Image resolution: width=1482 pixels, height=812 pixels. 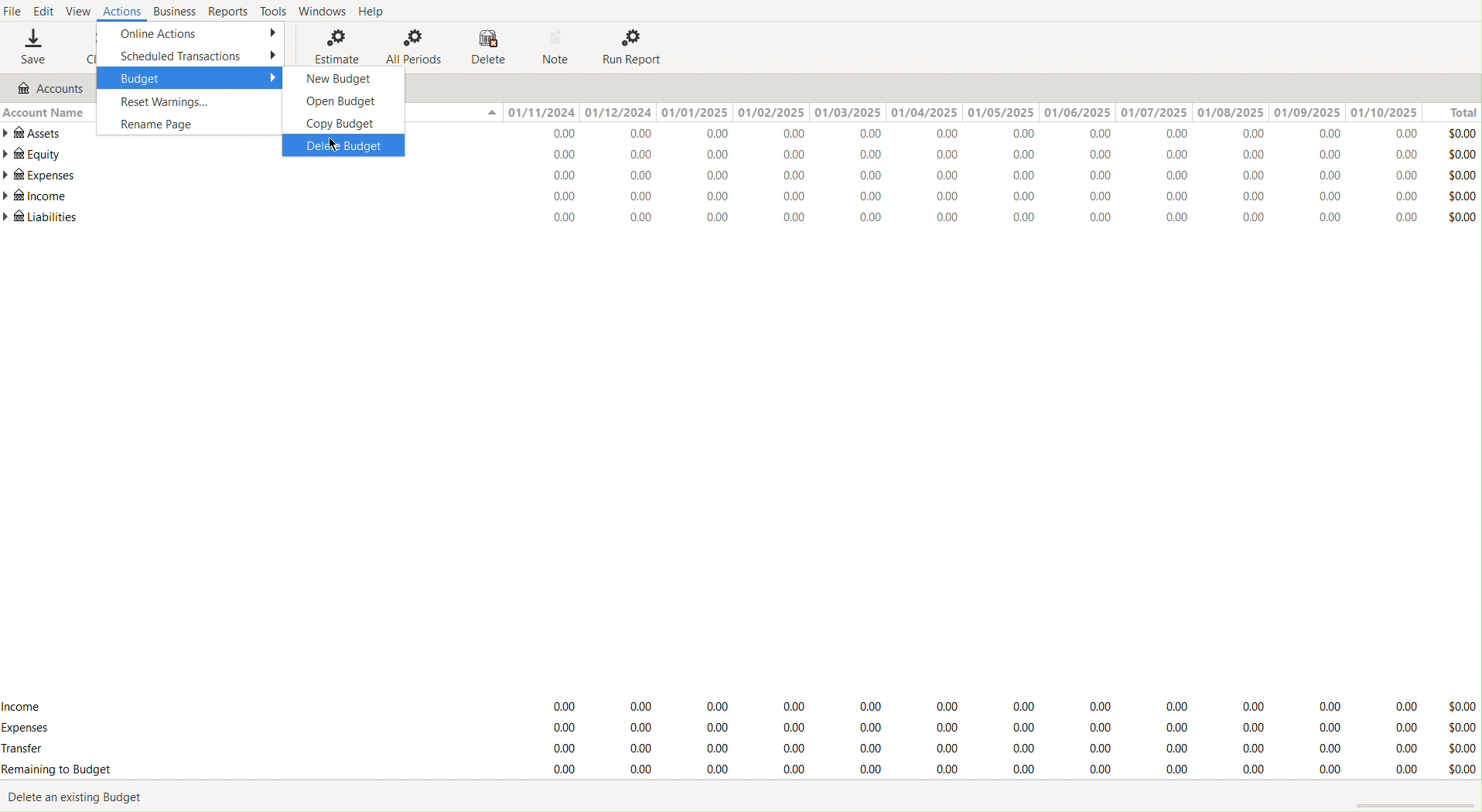 What do you see at coordinates (84, 12) in the screenshot?
I see `View` at bounding box center [84, 12].